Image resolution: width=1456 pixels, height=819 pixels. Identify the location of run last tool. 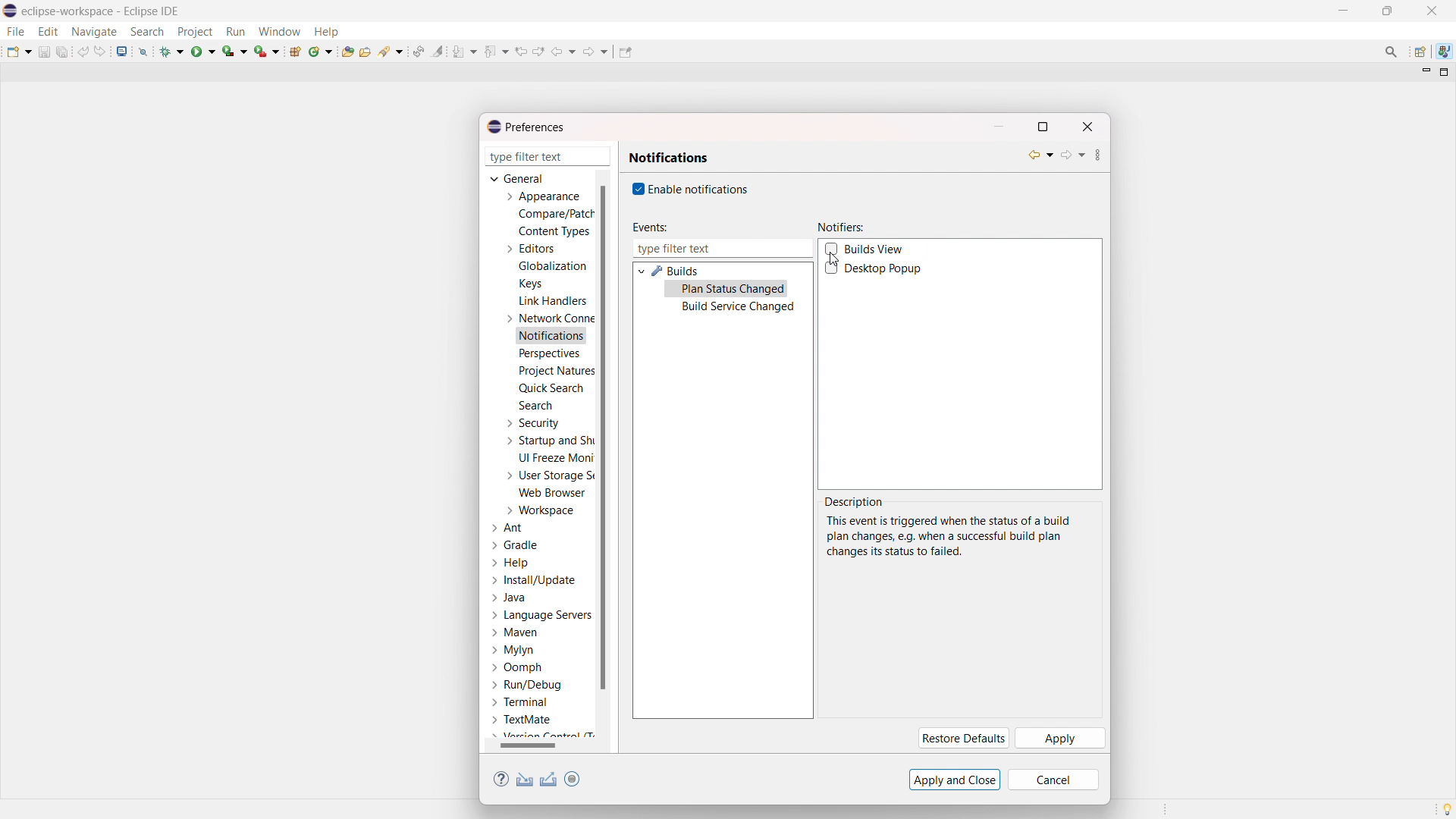
(268, 51).